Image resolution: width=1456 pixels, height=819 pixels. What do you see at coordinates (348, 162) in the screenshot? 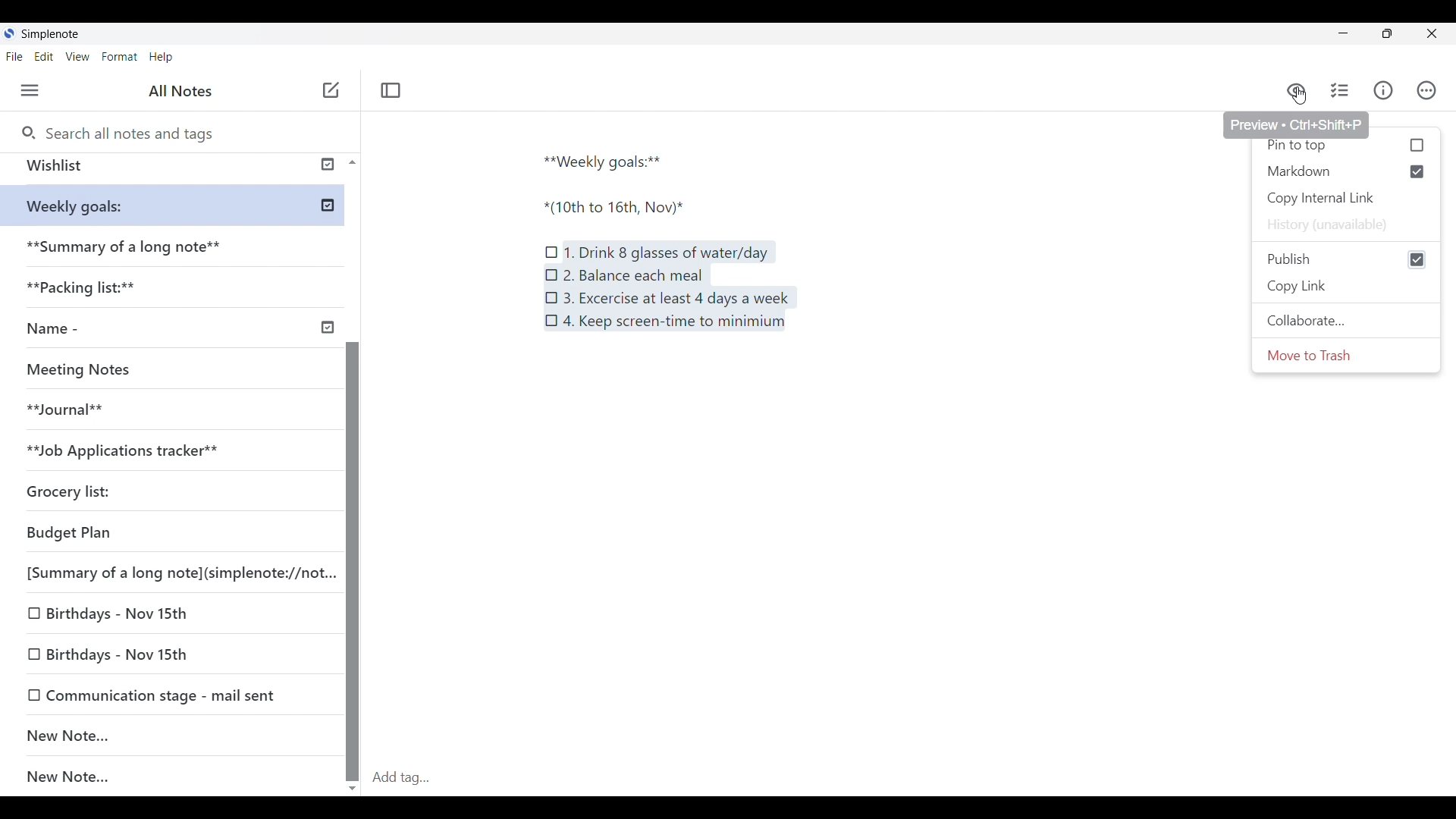
I see `Scroll up button` at bounding box center [348, 162].